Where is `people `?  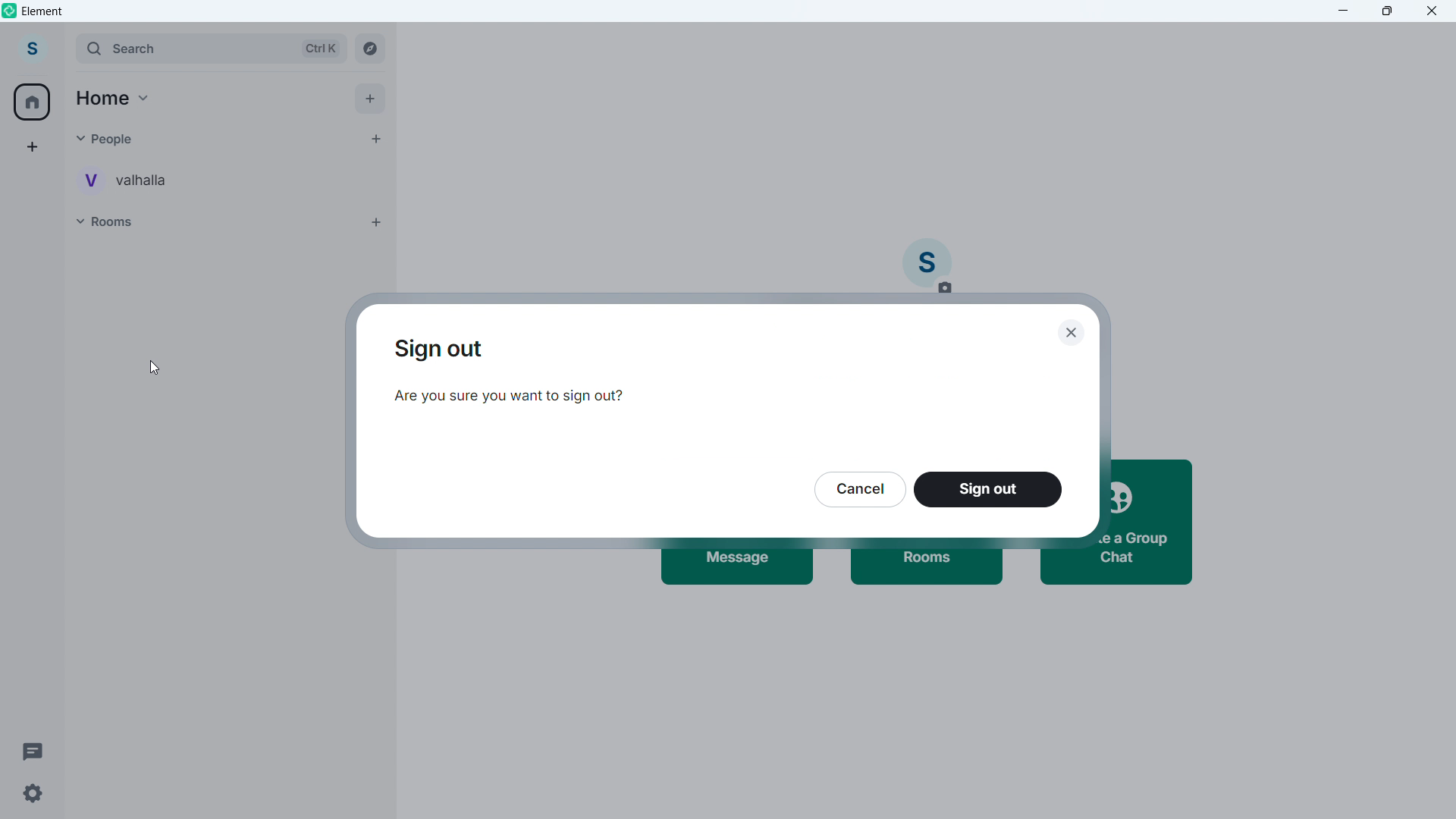 people  is located at coordinates (207, 140).